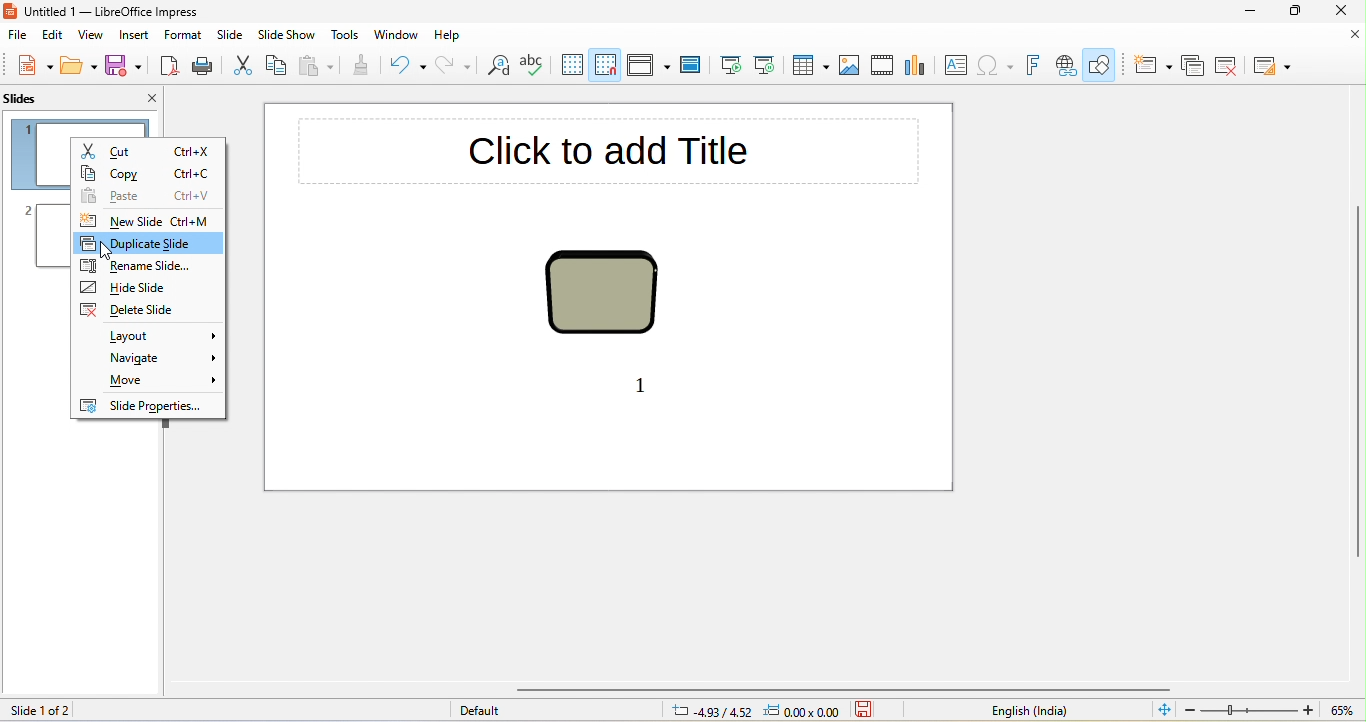 This screenshot has width=1366, height=722. Describe the element at coordinates (245, 66) in the screenshot. I see `cut` at that location.